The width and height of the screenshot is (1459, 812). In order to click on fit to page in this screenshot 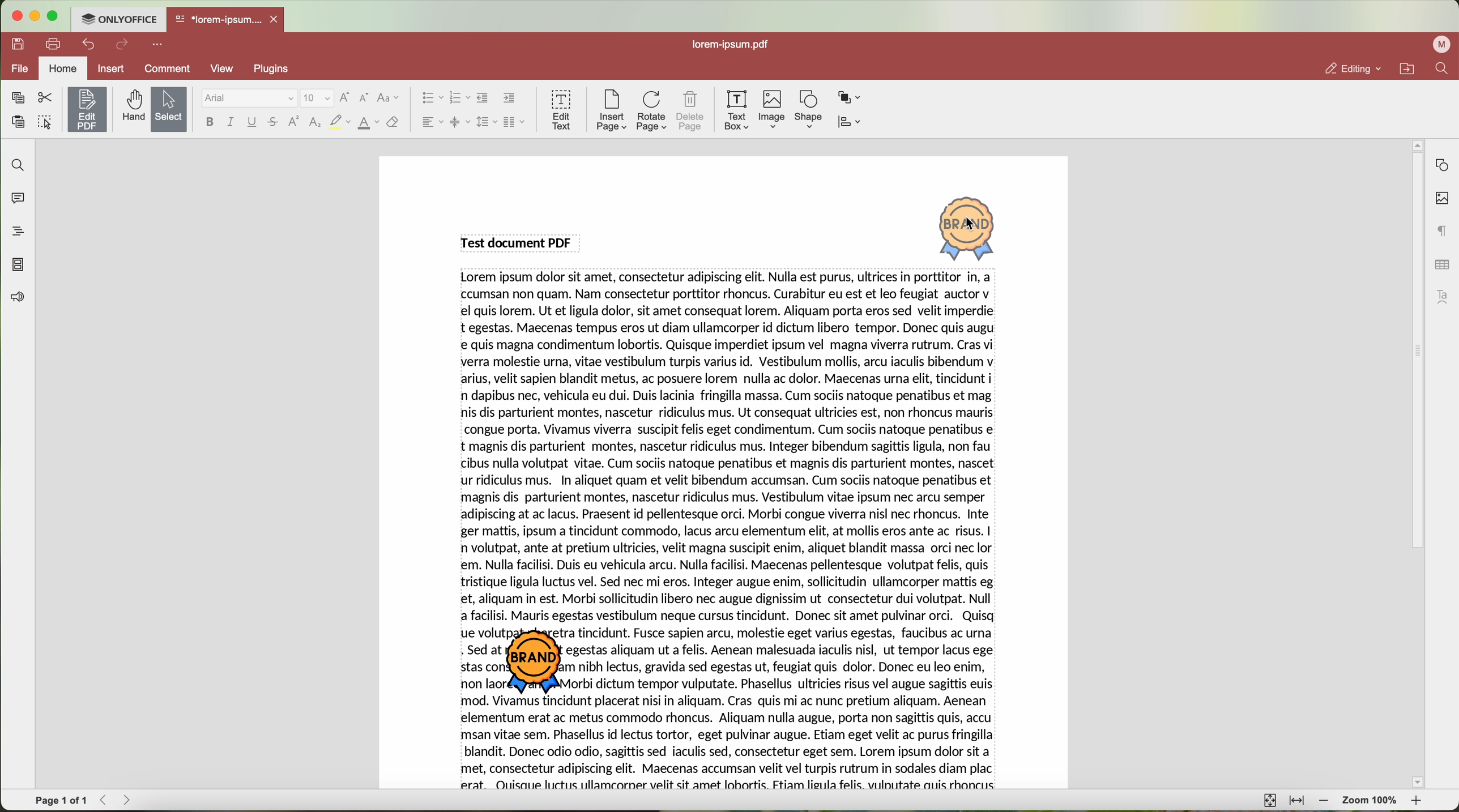, I will do `click(1268, 800)`.